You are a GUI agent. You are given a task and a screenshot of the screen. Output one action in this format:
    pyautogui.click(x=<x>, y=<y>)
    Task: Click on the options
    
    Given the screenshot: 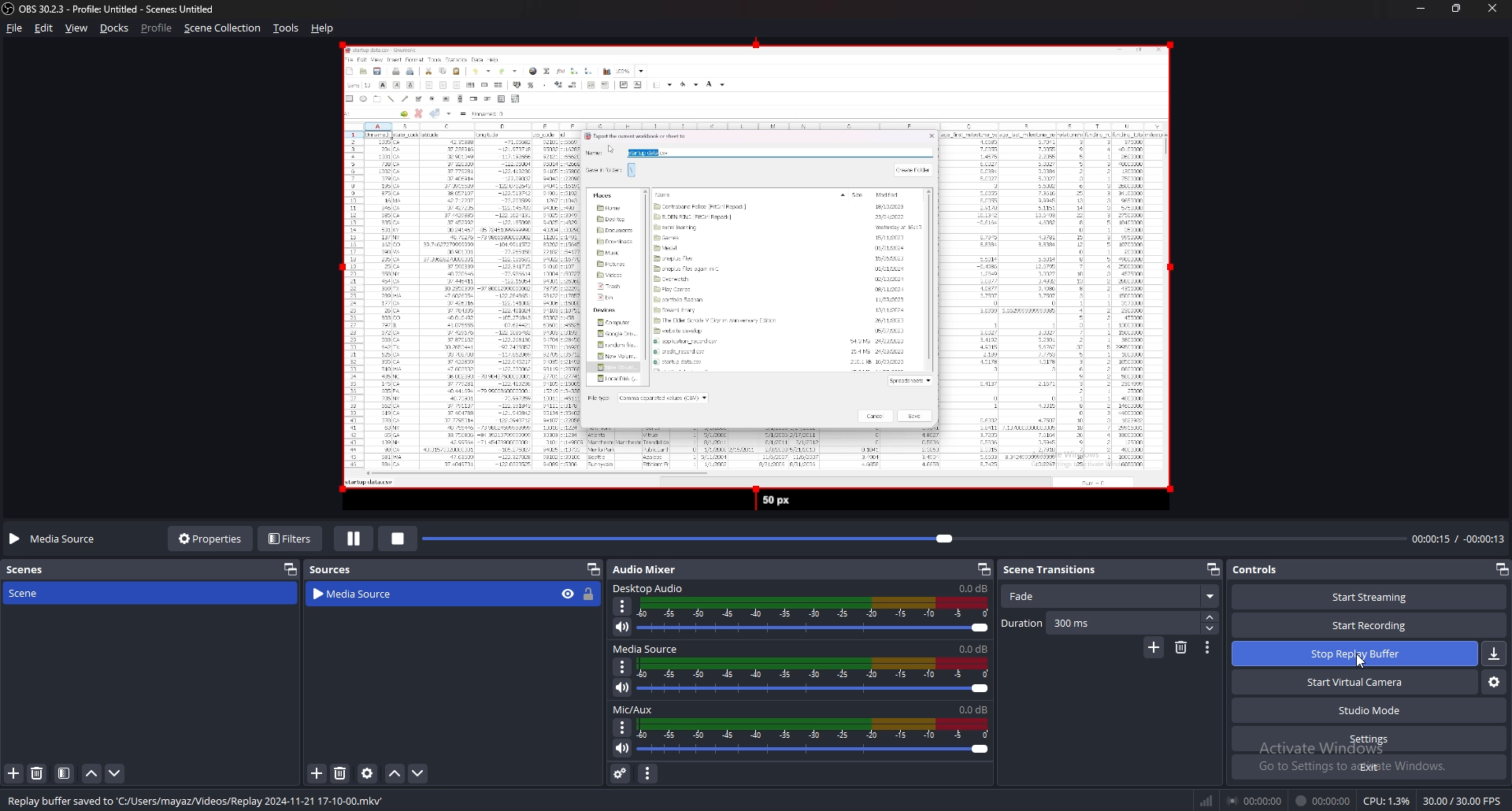 What is the action you would take?
    pyautogui.click(x=623, y=728)
    